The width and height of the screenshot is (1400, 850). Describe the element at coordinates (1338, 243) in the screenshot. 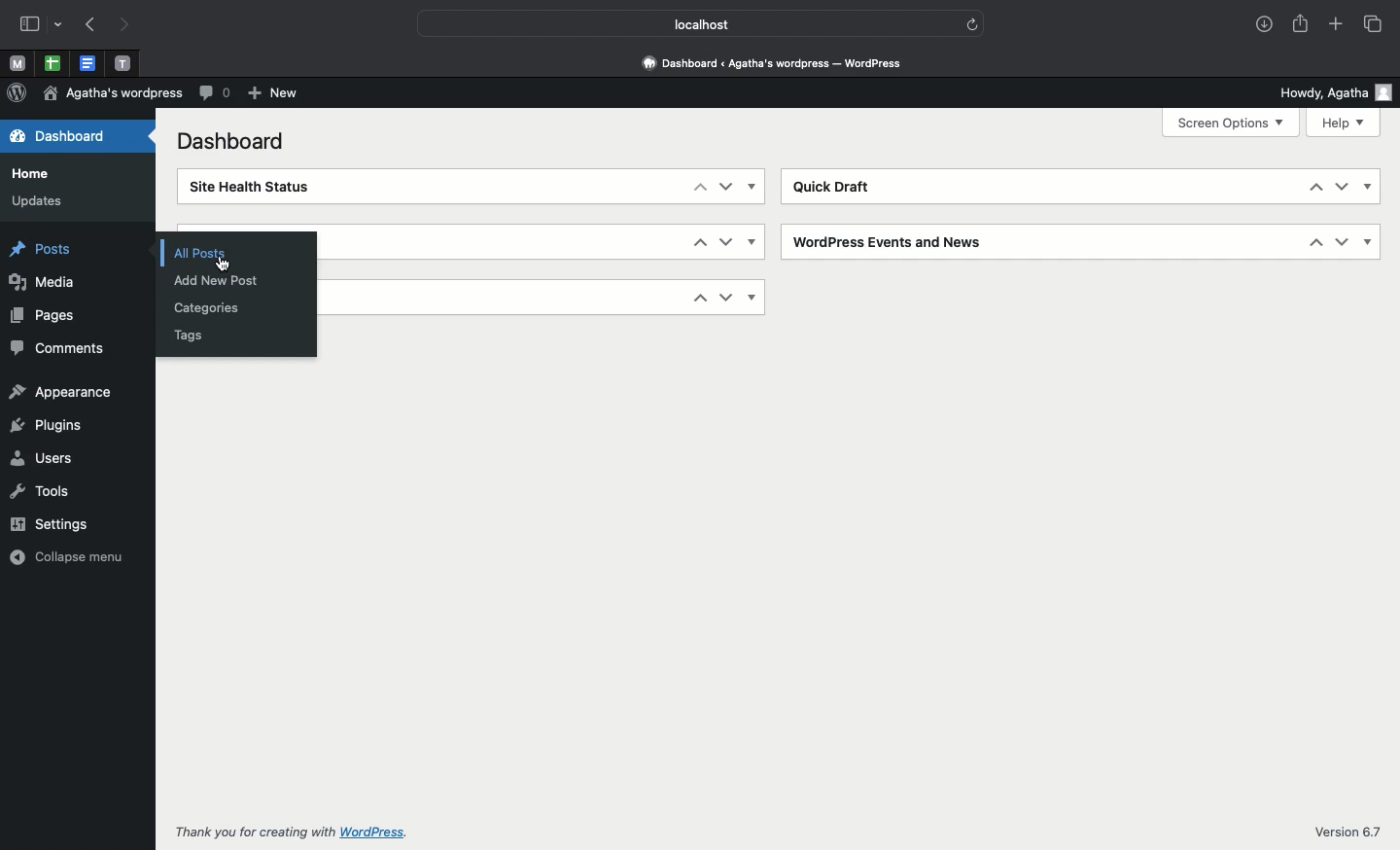

I see `Down` at that location.